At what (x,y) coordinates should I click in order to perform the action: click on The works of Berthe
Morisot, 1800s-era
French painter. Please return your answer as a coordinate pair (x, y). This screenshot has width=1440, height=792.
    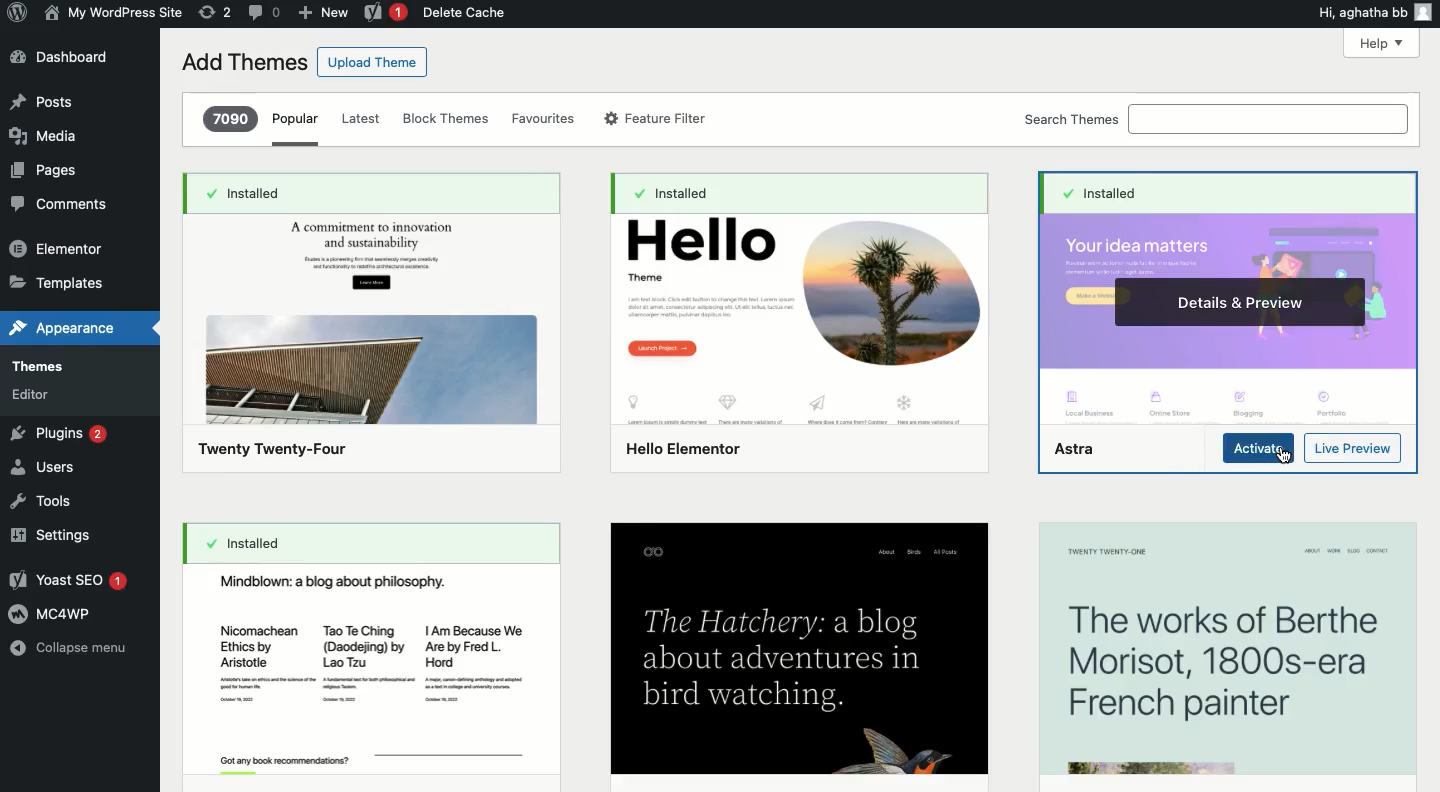
    Looking at the image, I should click on (1223, 648).